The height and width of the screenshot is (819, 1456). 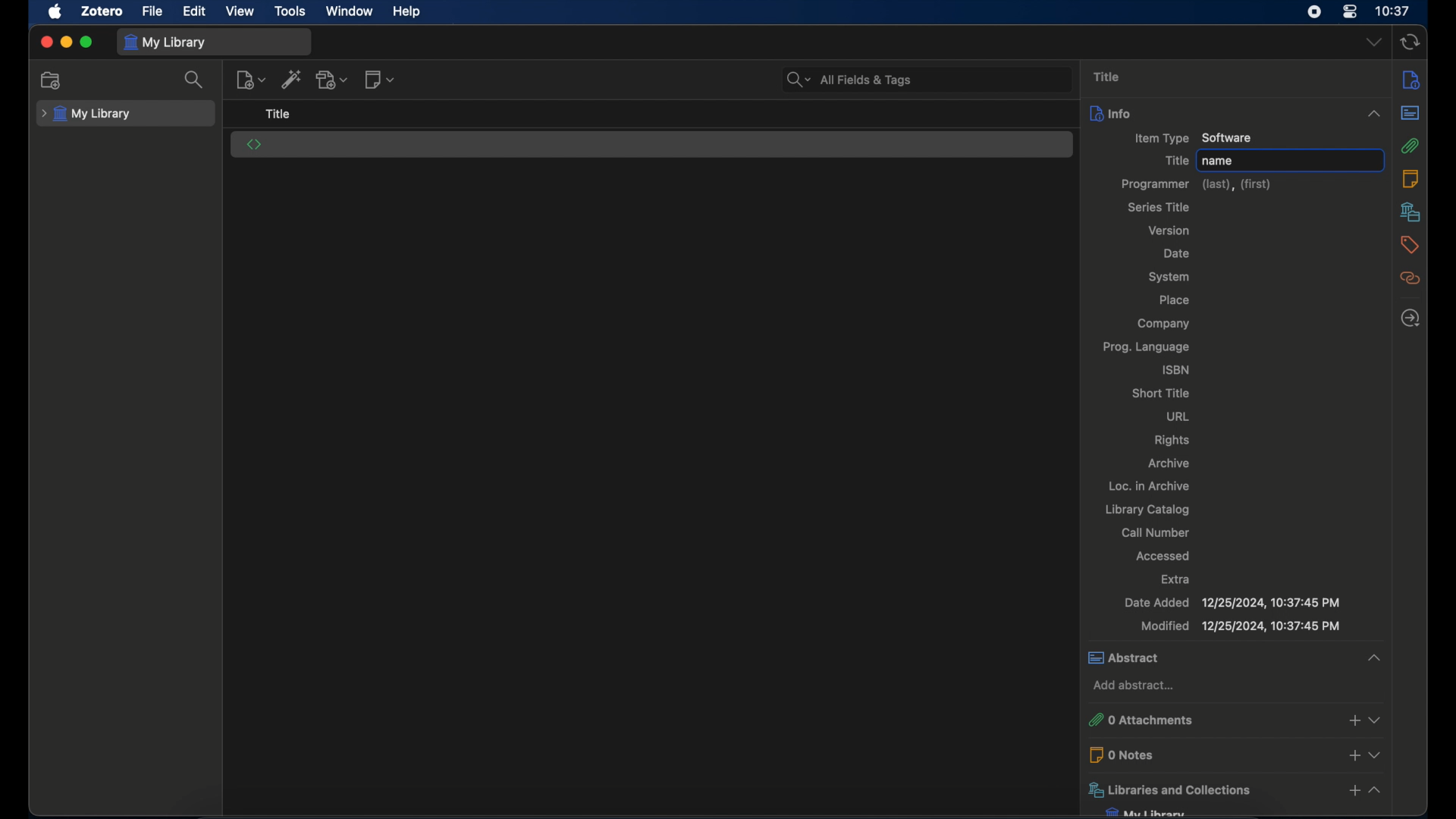 What do you see at coordinates (1174, 300) in the screenshot?
I see `lace` at bounding box center [1174, 300].